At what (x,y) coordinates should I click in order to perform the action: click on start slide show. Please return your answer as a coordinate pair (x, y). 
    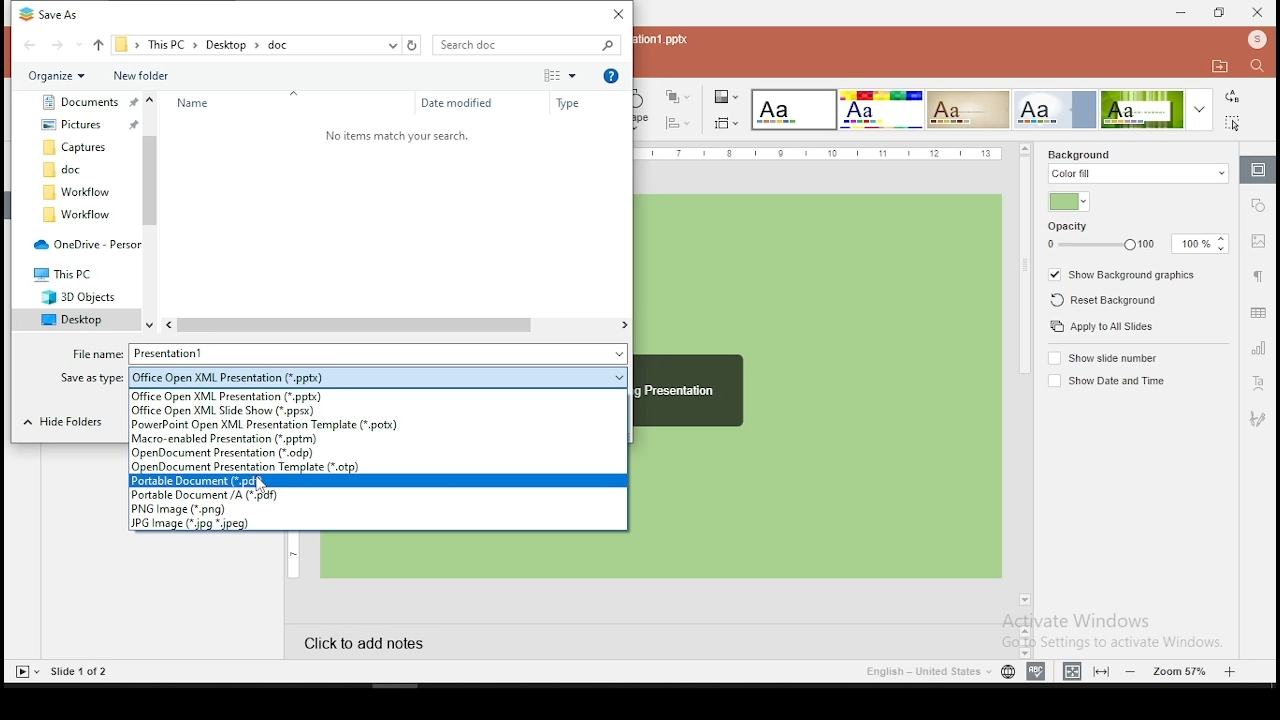
    Looking at the image, I should click on (25, 672).